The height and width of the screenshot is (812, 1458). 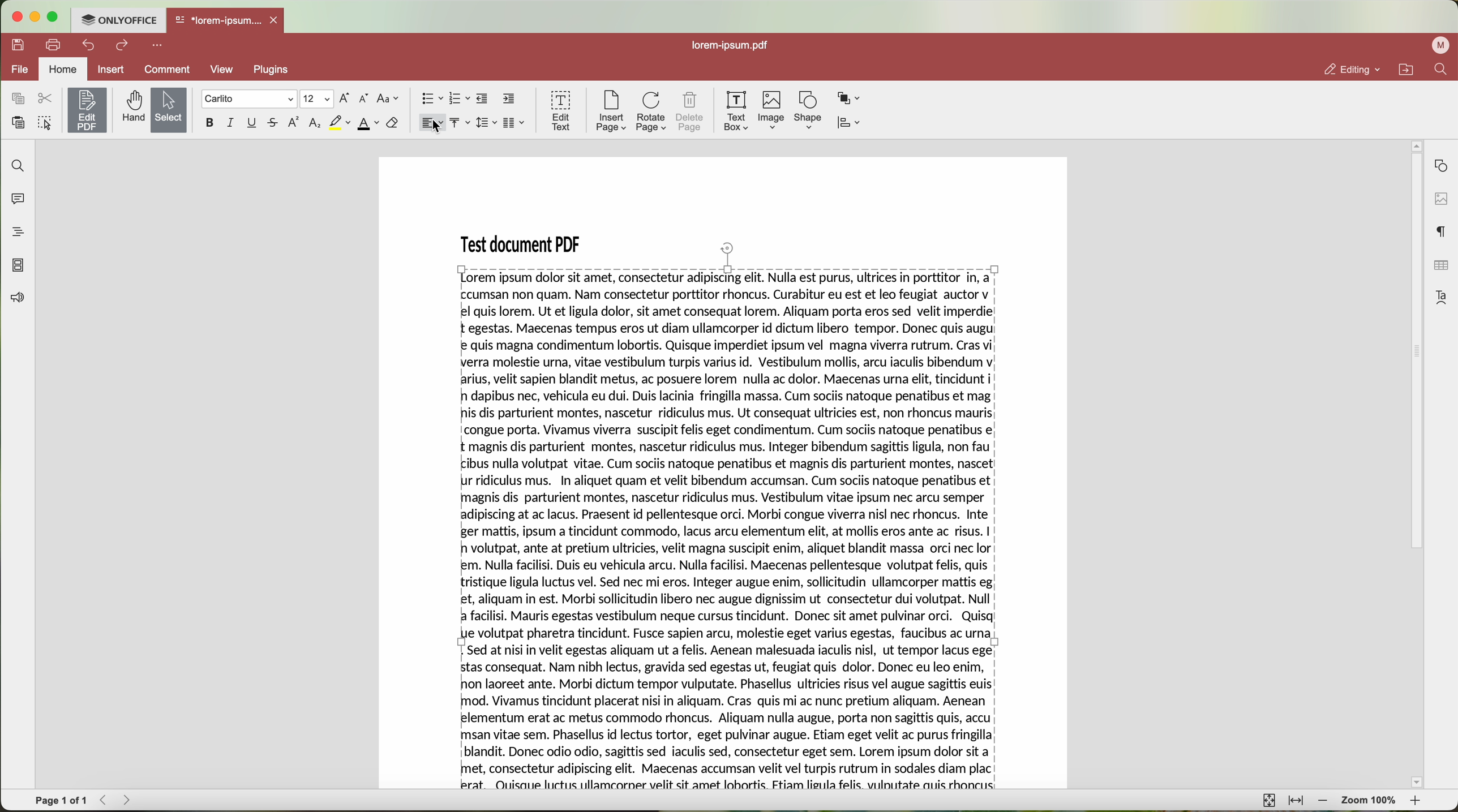 What do you see at coordinates (211, 123) in the screenshot?
I see `bold` at bounding box center [211, 123].